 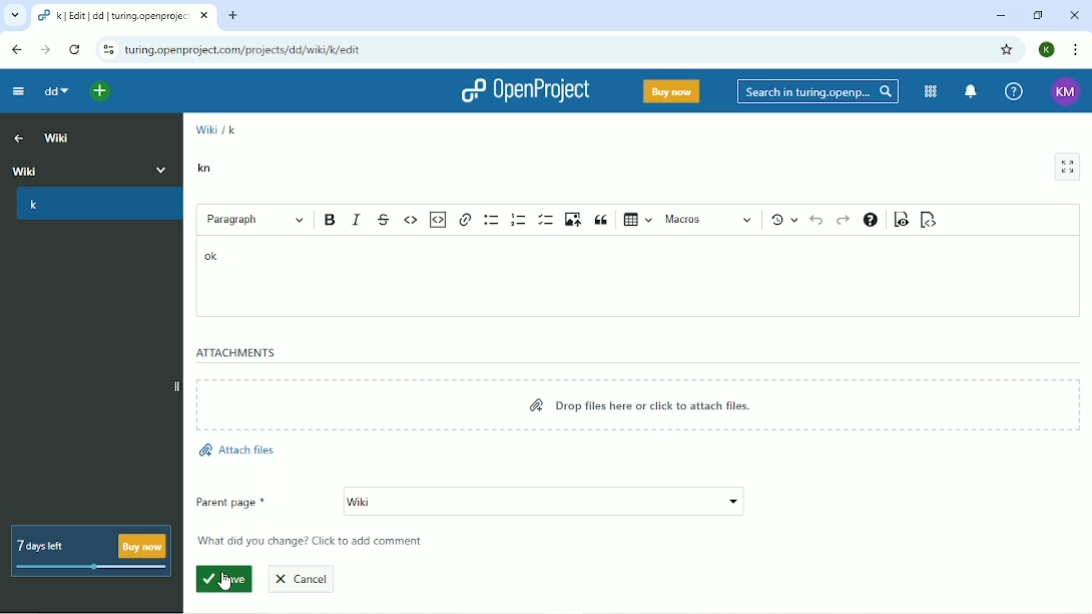 I want to click on Cursor on save, so click(x=223, y=582).